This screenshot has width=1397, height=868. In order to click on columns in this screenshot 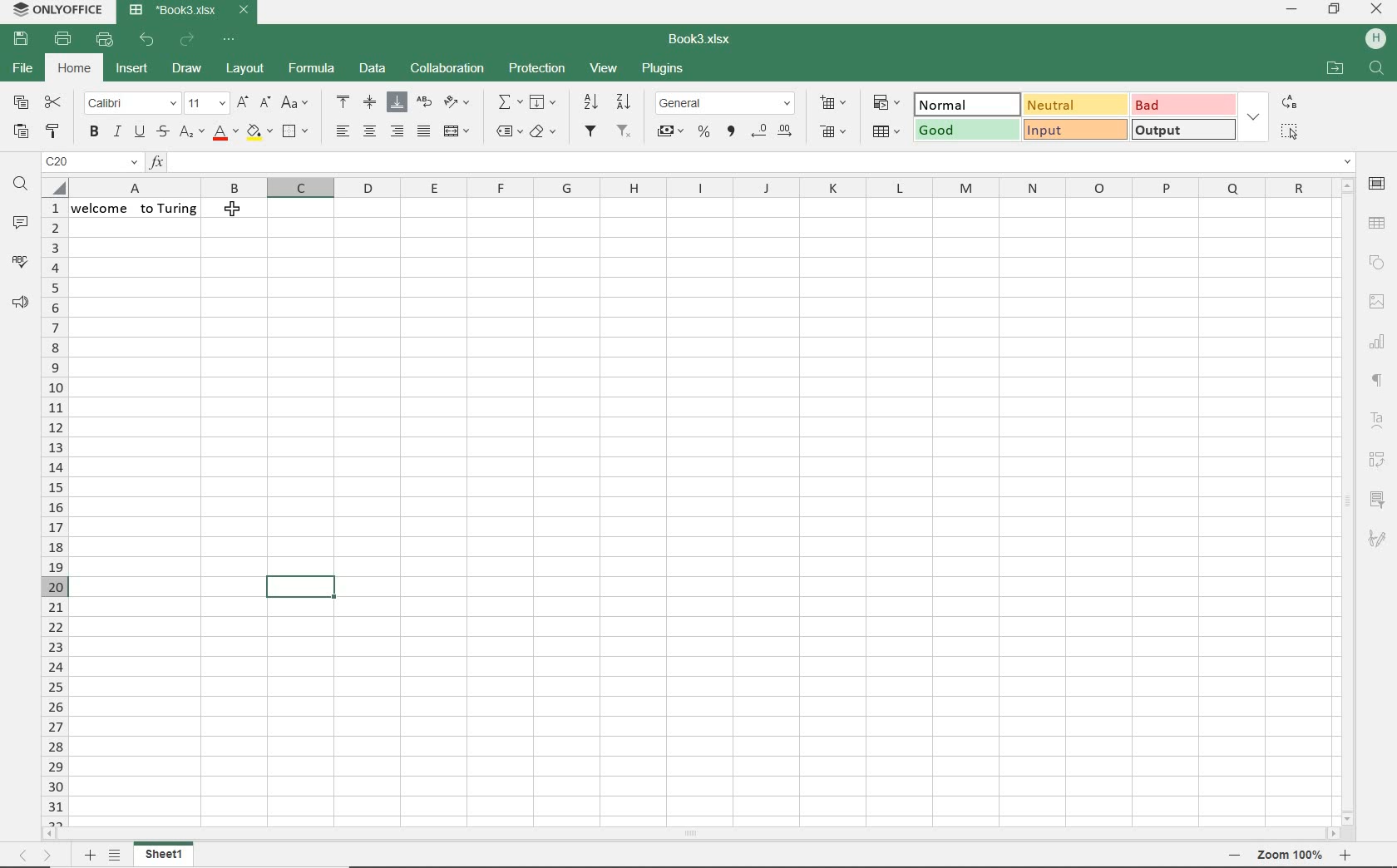, I will do `click(687, 189)`.